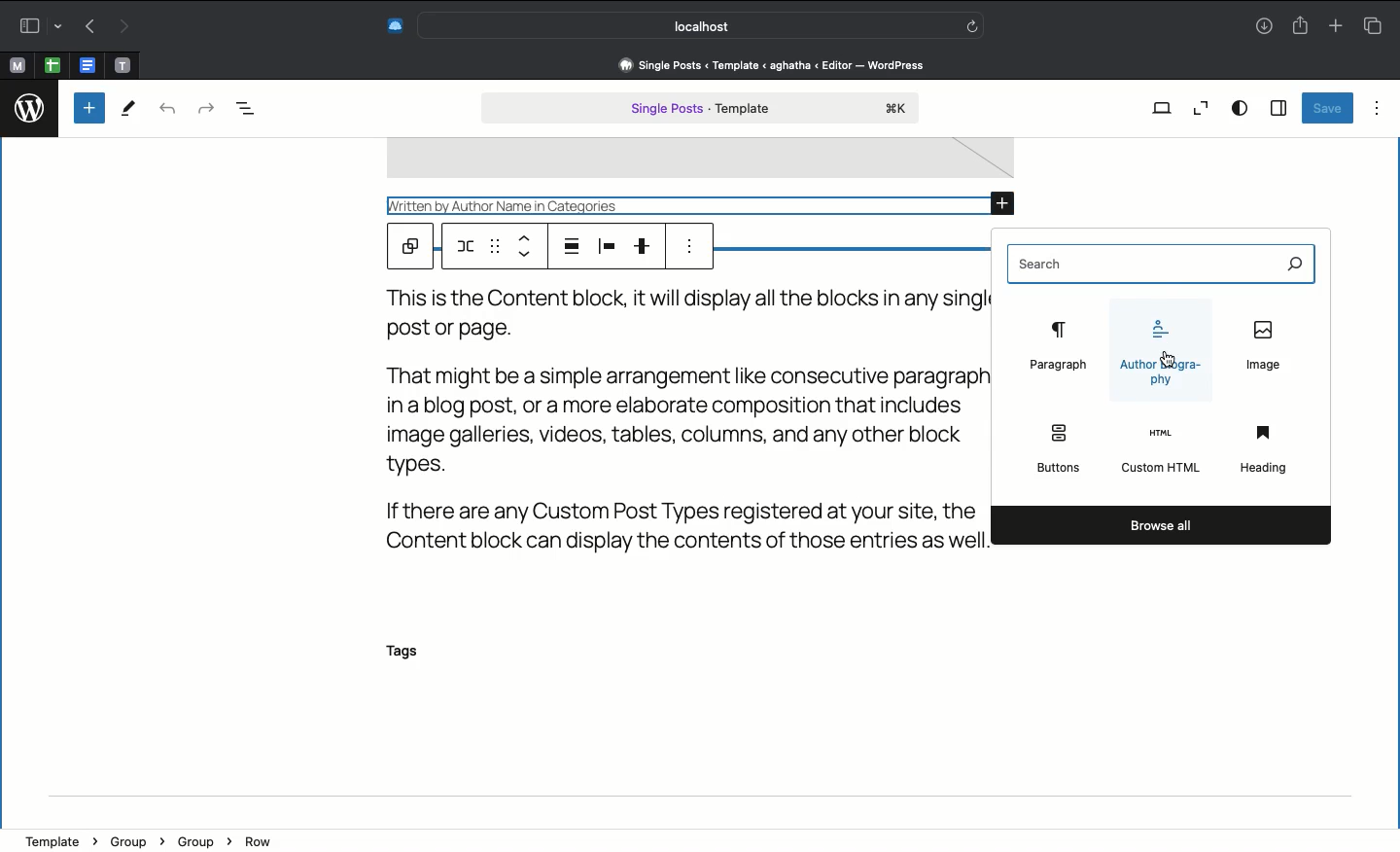 This screenshot has width=1400, height=852. Describe the element at coordinates (596, 204) in the screenshot. I see `Written by Author Name in Categories` at that location.